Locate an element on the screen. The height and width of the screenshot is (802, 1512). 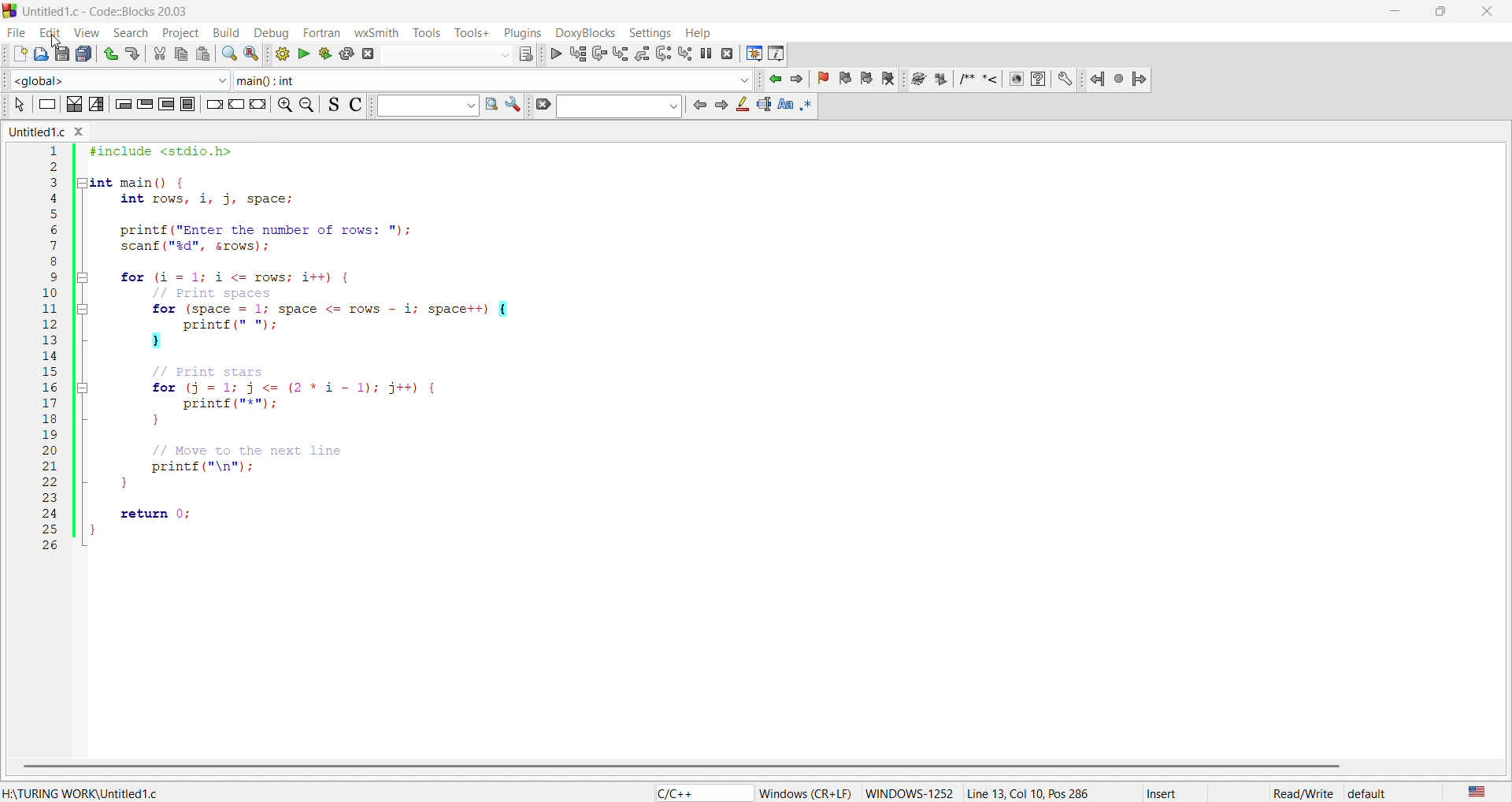
redo is located at coordinates (134, 54).